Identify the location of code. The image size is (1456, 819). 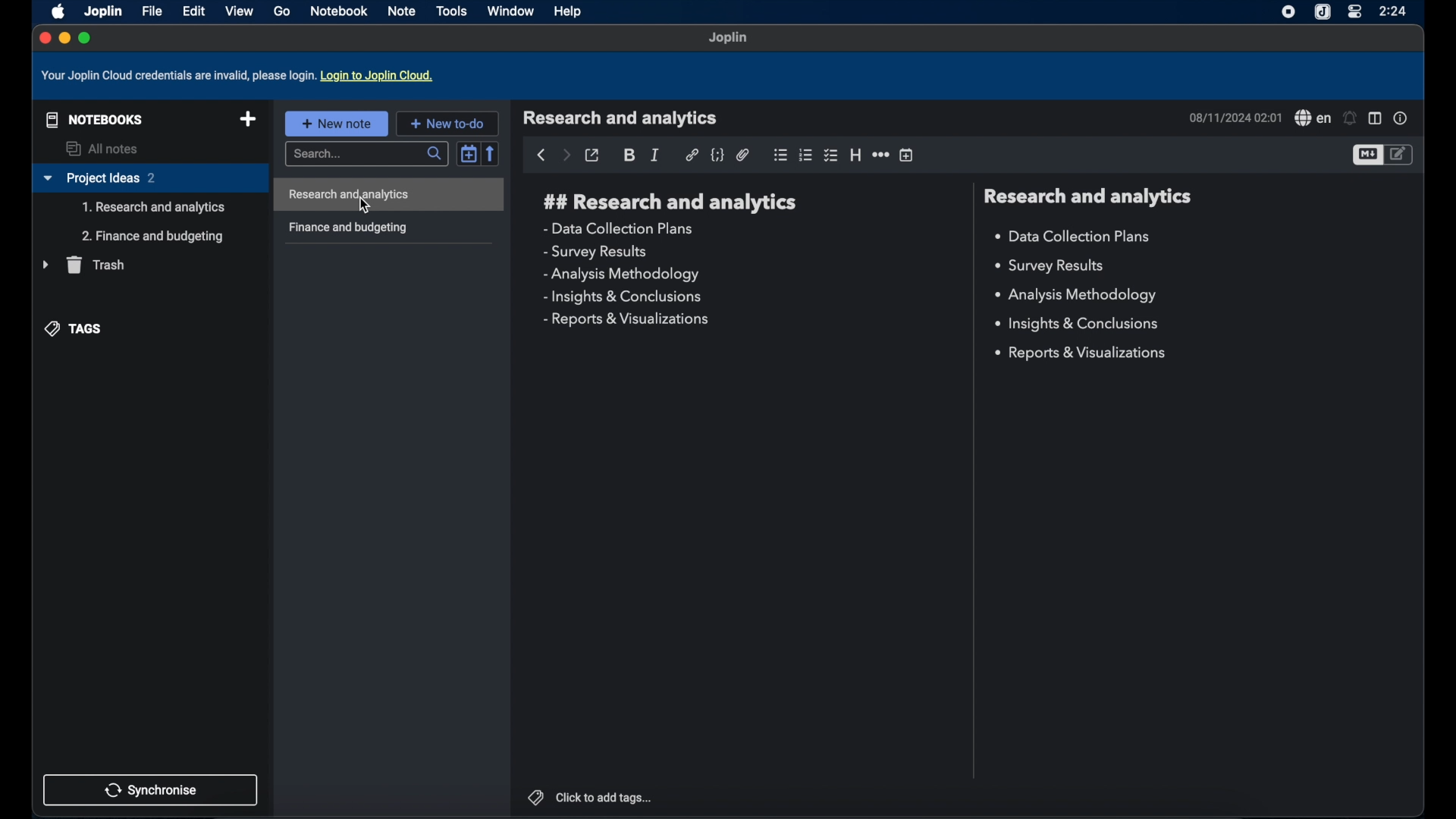
(718, 155).